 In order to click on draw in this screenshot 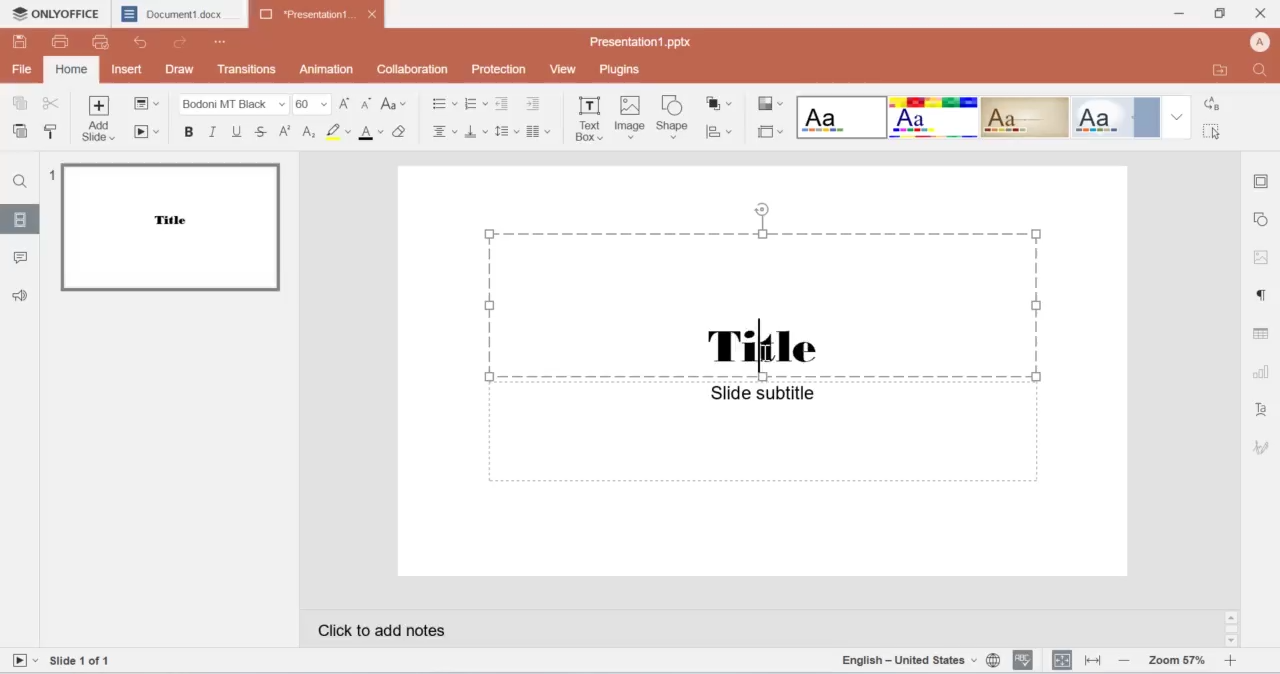, I will do `click(181, 68)`.